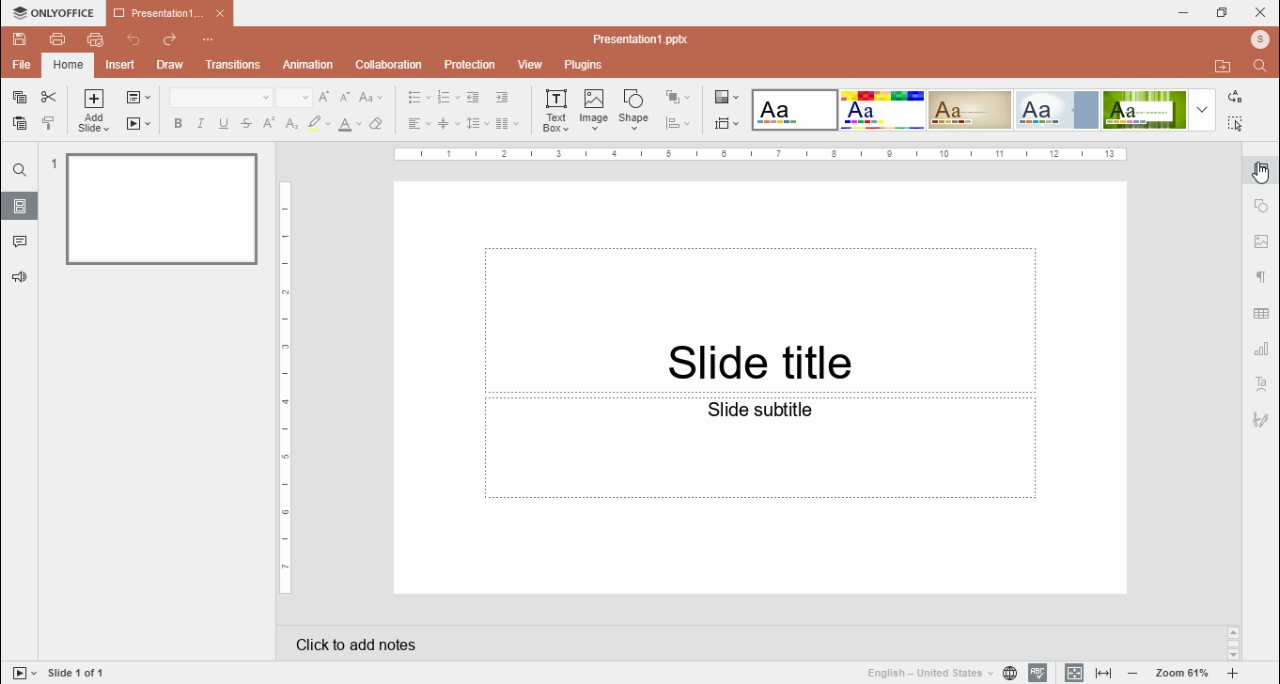 Image resolution: width=1280 pixels, height=684 pixels. I want to click on cut, so click(48, 97).